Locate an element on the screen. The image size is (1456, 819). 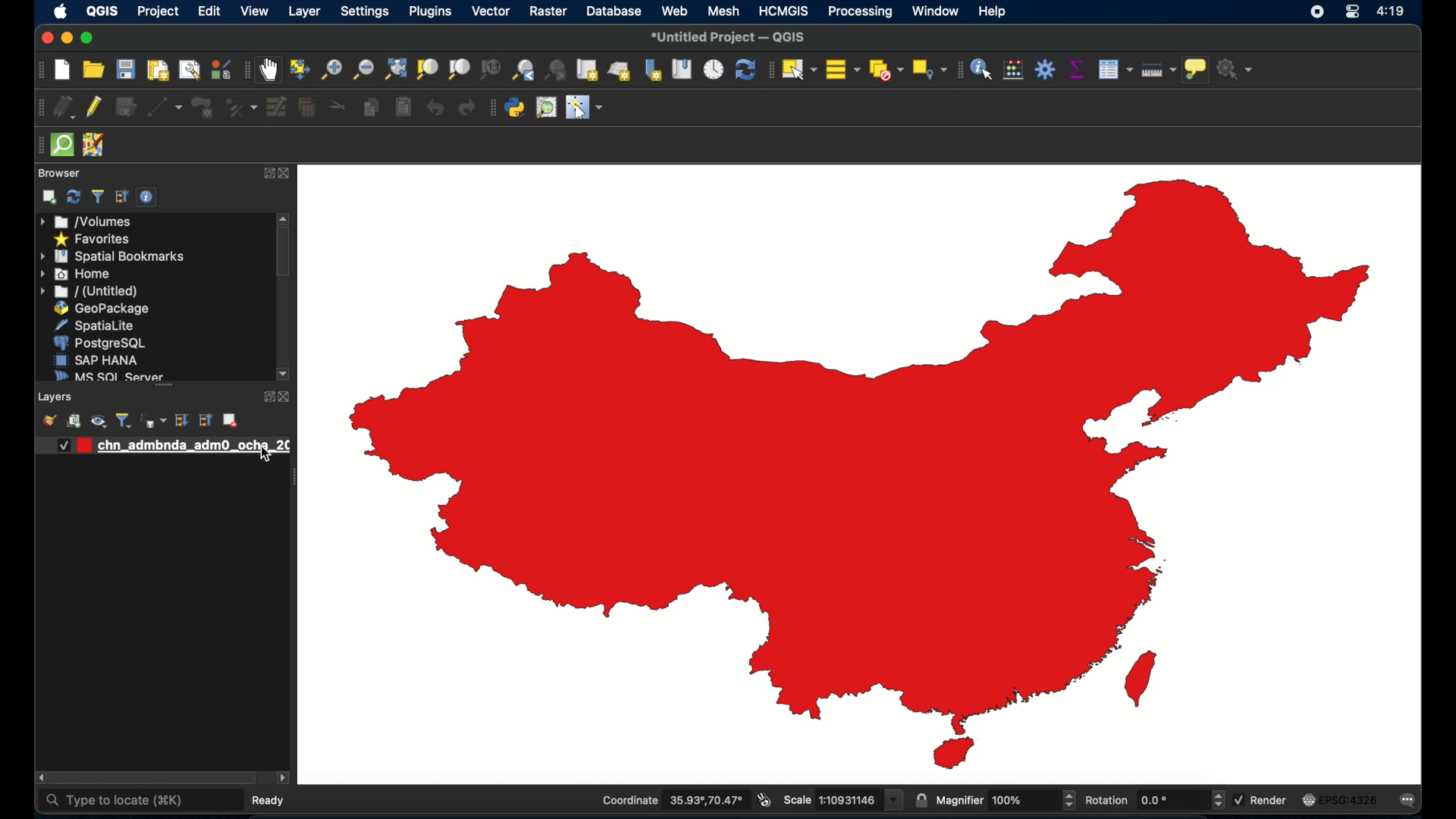
layer is located at coordinates (306, 13).